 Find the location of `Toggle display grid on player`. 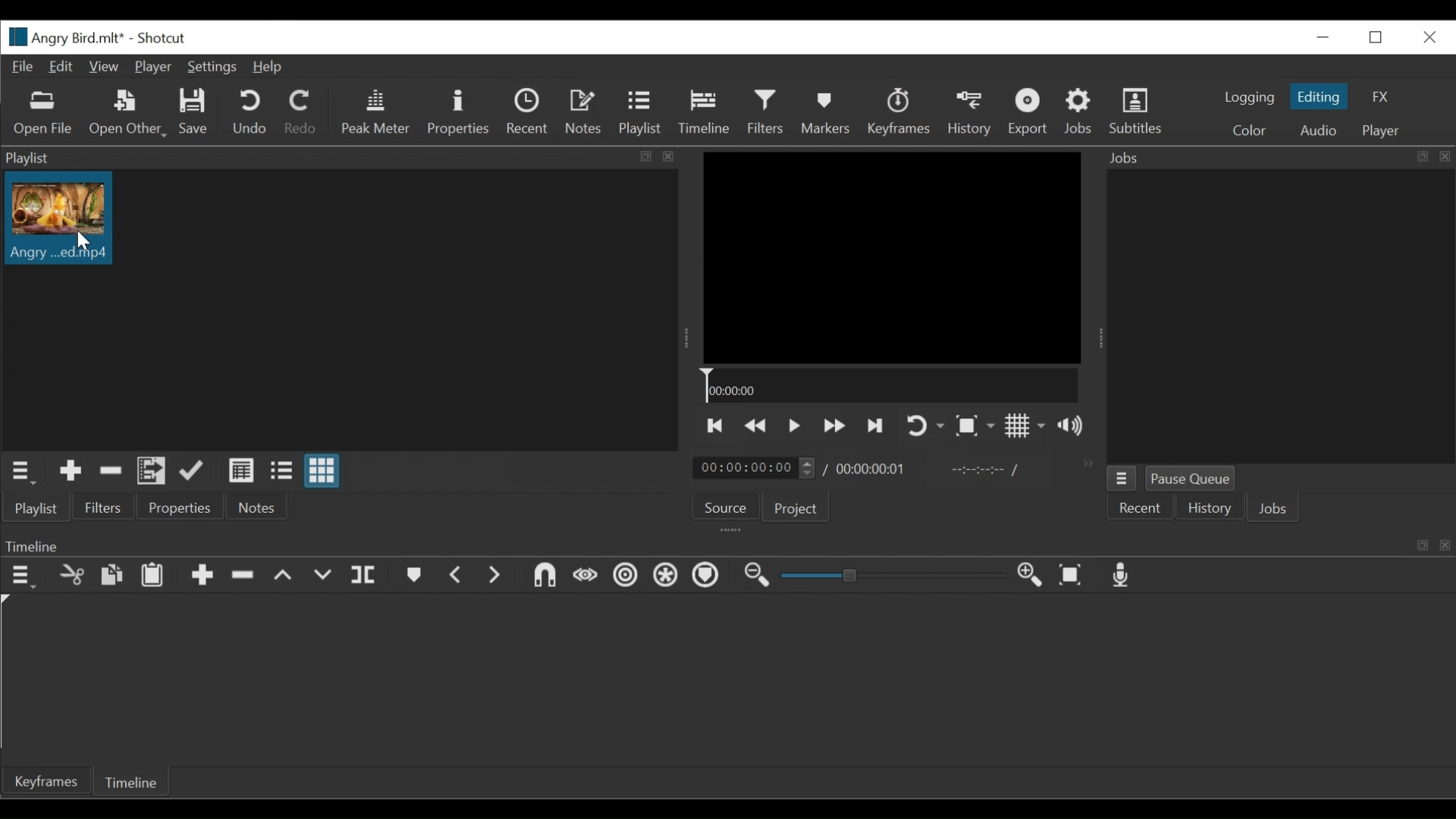

Toggle display grid on player is located at coordinates (1028, 428).